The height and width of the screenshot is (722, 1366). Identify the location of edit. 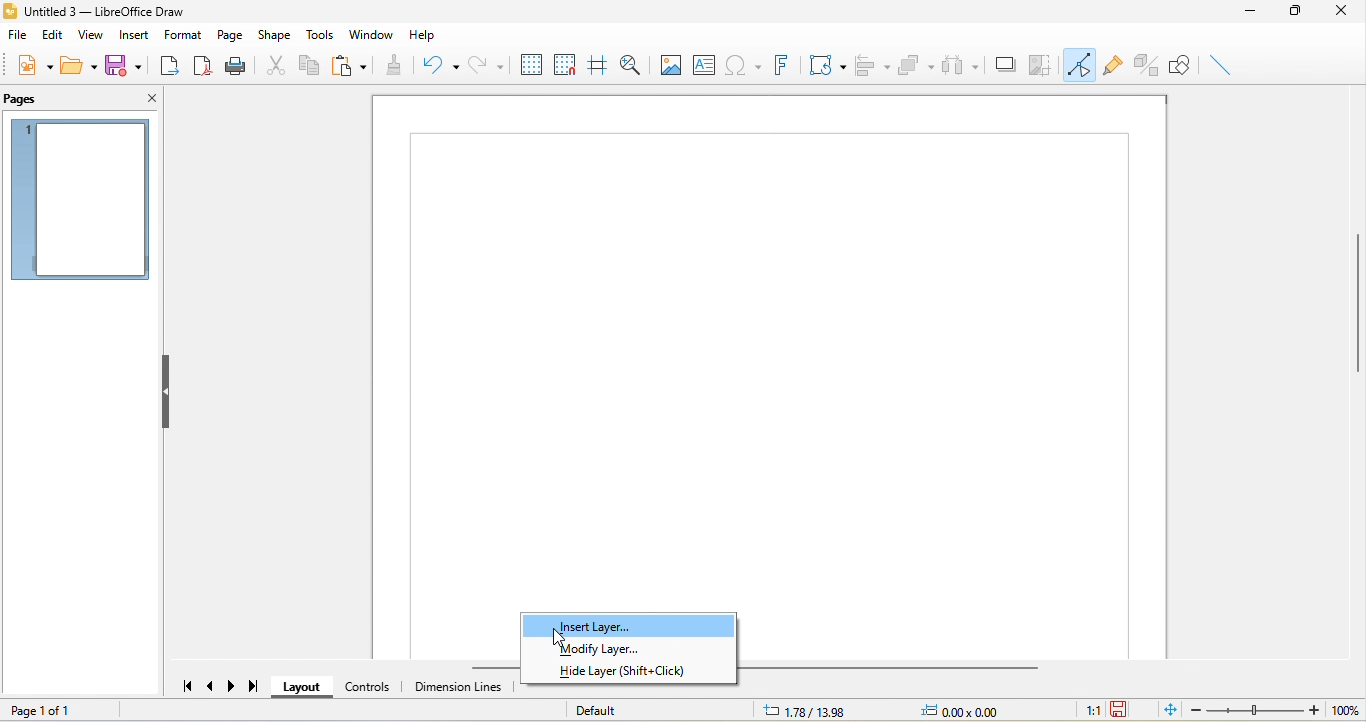
(53, 37).